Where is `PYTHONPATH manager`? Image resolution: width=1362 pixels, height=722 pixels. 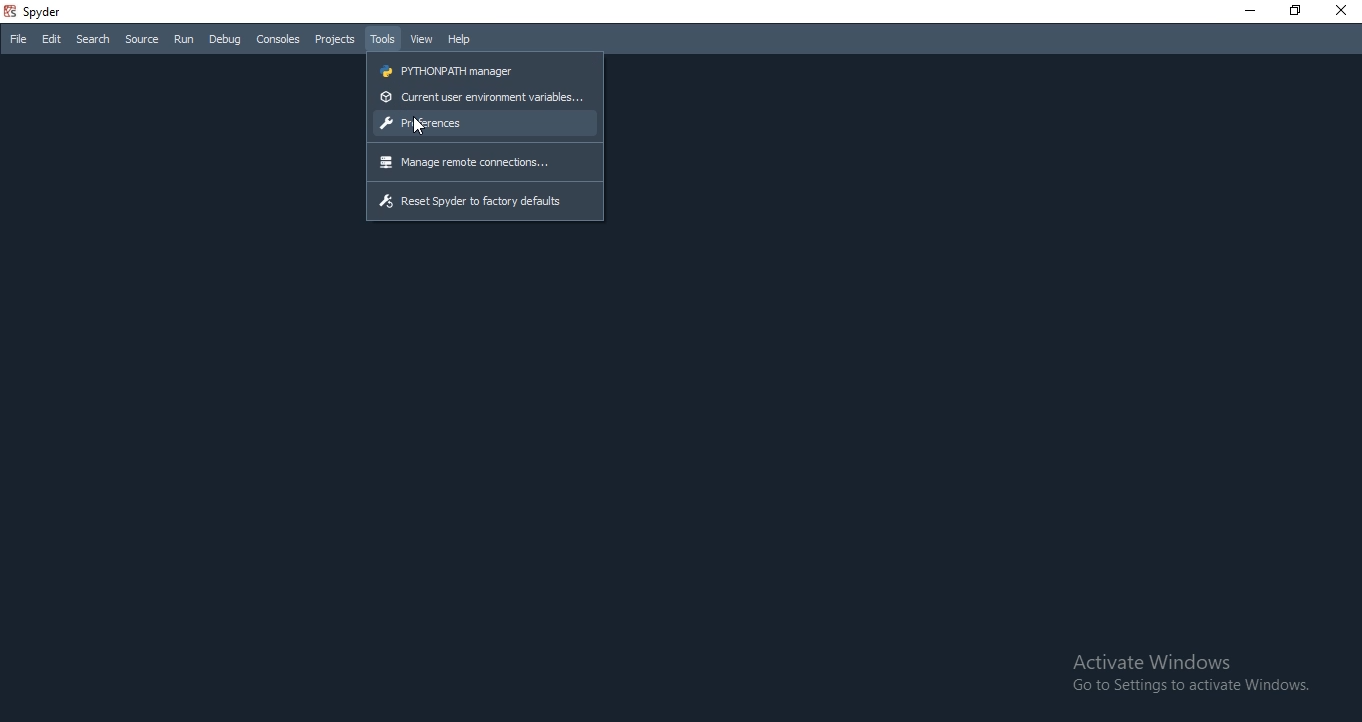
PYTHONPATH manager is located at coordinates (445, 70).